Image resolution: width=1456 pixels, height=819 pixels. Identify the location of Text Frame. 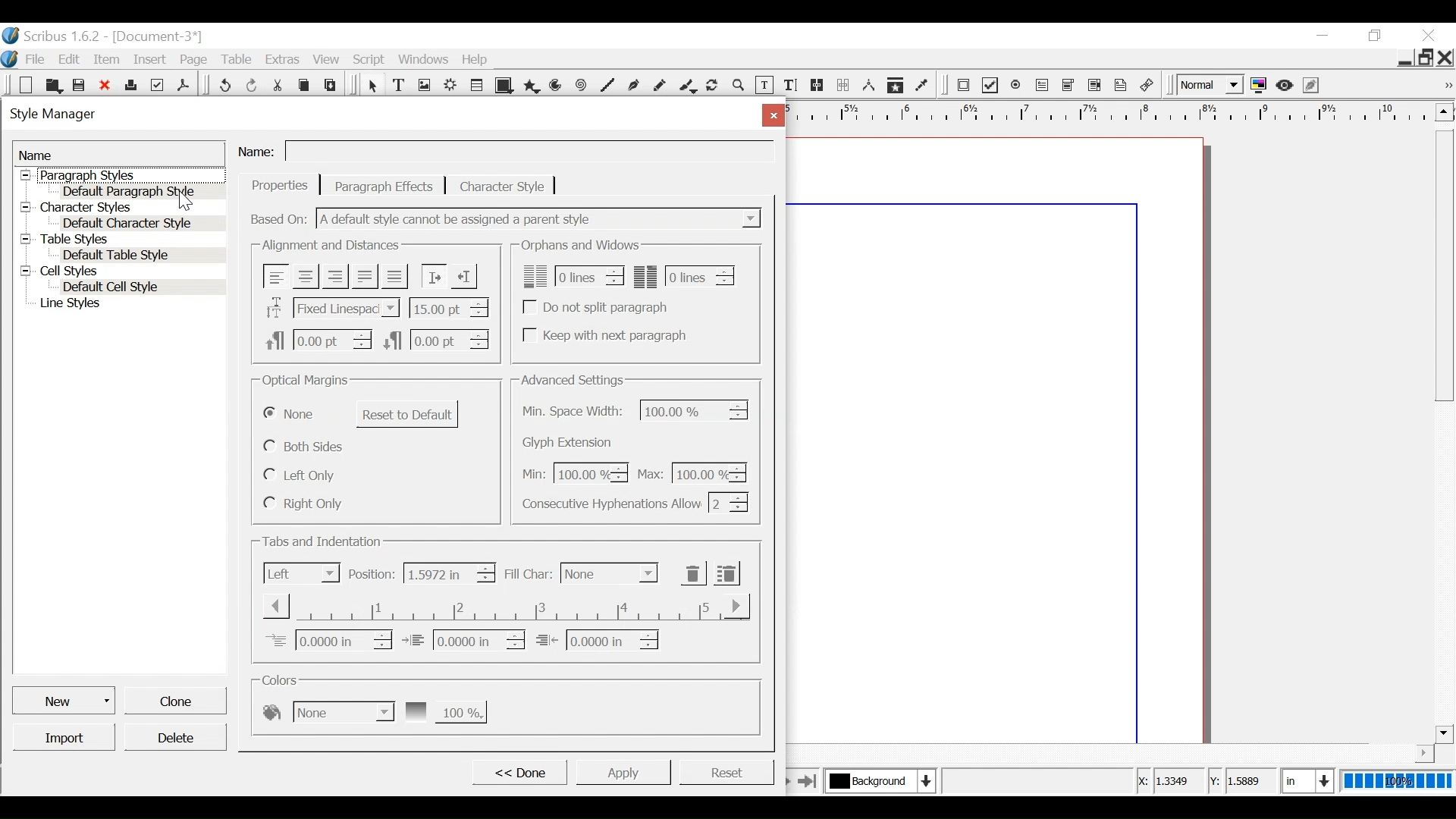
(399, 86).